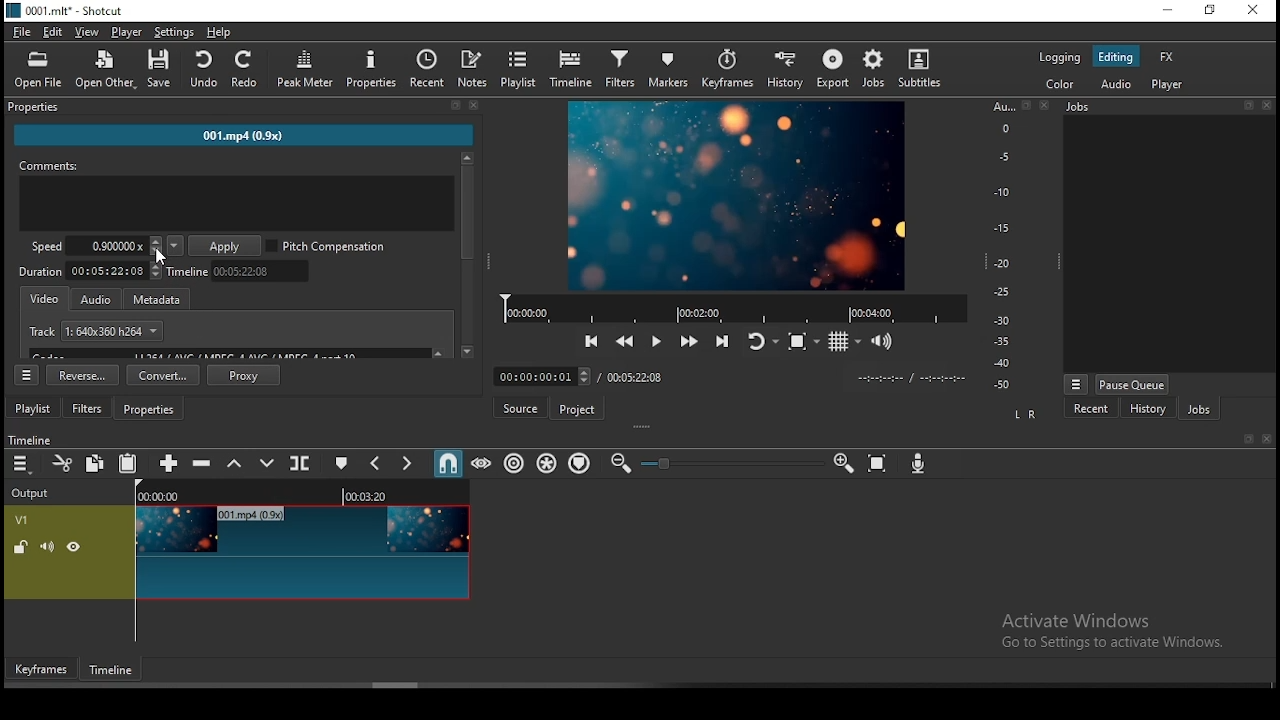  I want to click on jobs, so click(1197, 408).